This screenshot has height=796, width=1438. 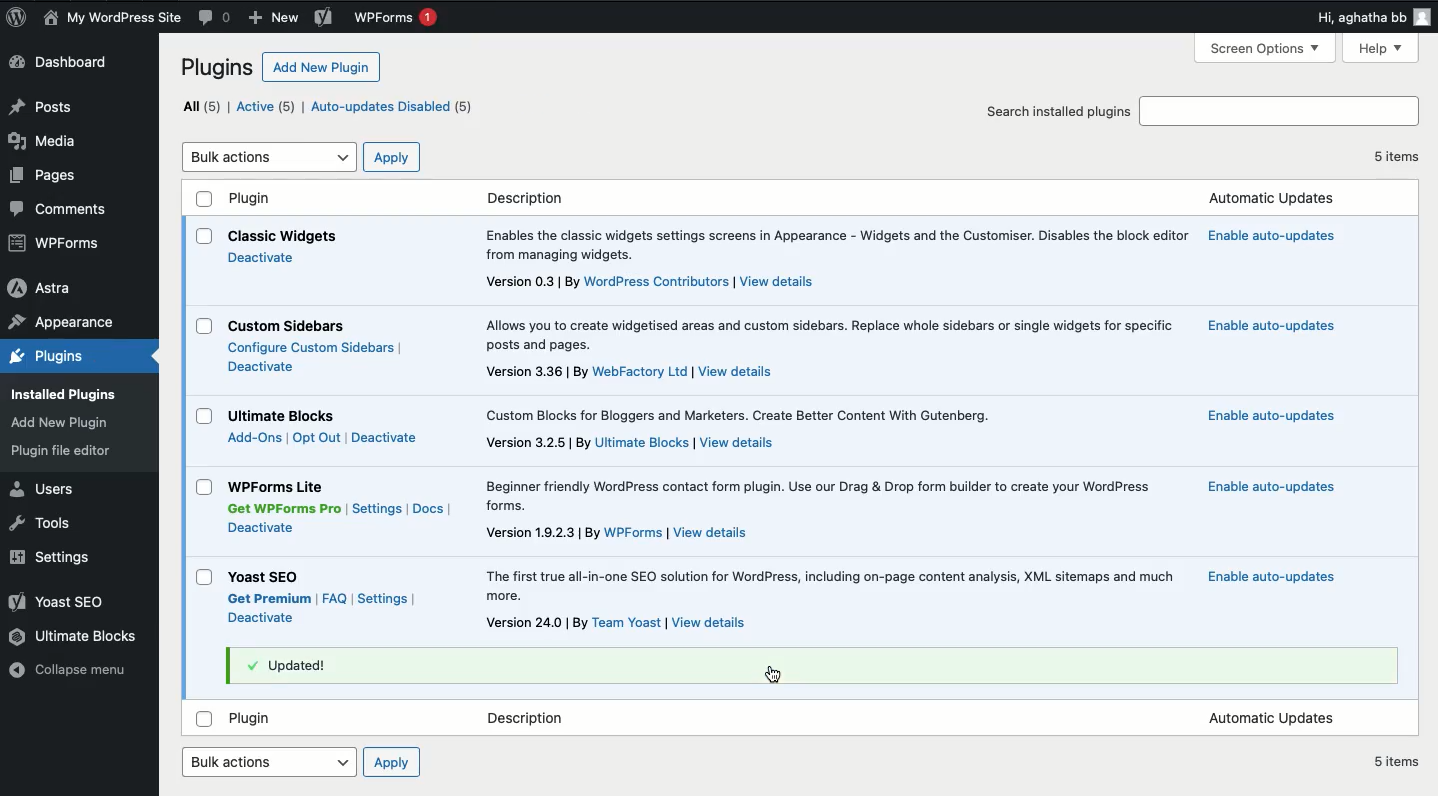 I want to click on Plugins, so click(x=69, y=394).